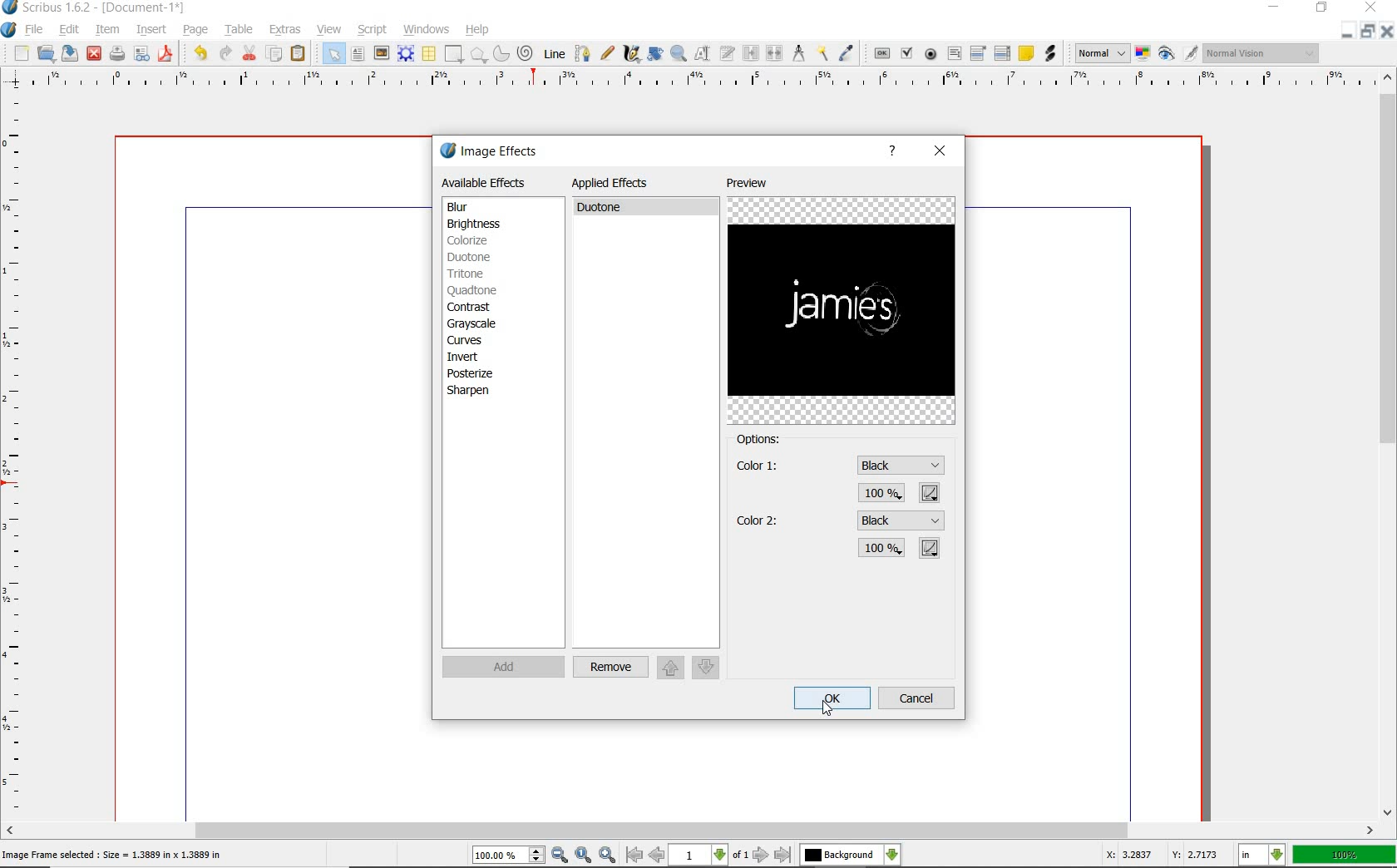  I want to click on open, so click(46, 53).